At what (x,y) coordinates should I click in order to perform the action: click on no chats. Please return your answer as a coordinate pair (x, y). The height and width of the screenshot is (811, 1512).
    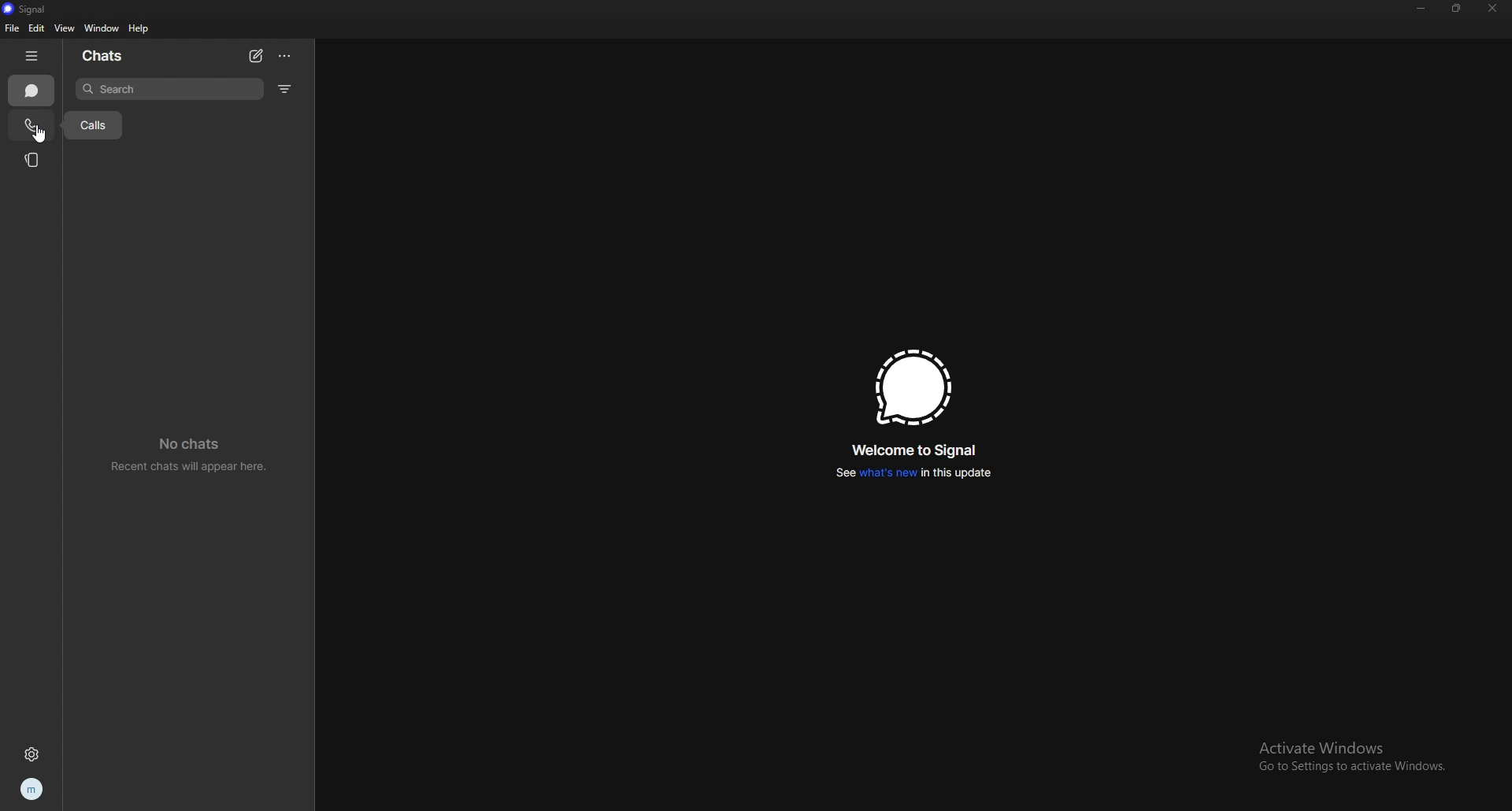
    Looking at the image, I should click on (195, 457).